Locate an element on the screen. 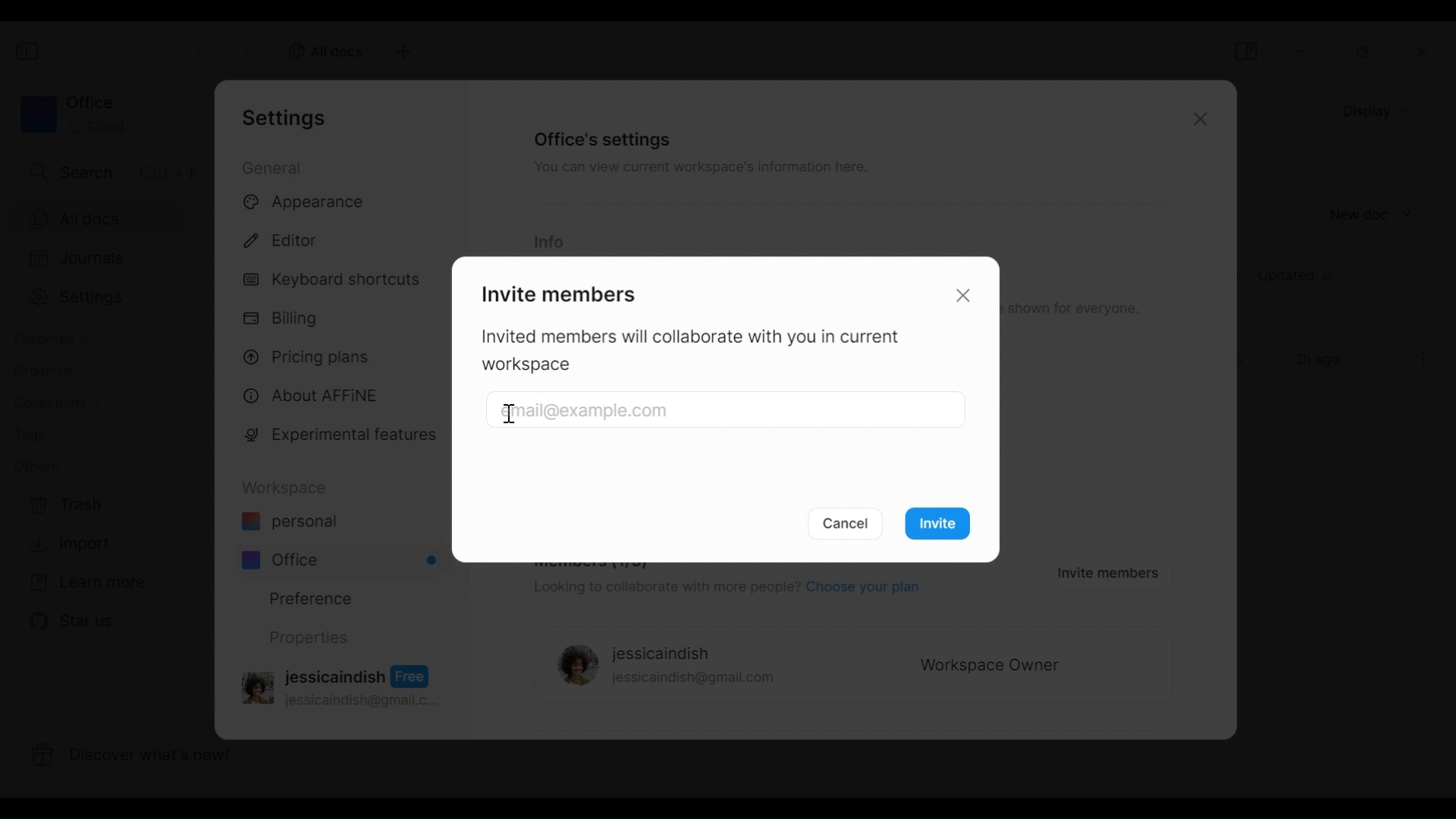 This screenshot has height=819, width=1456. Learn more is located at coordinates (87, 583).